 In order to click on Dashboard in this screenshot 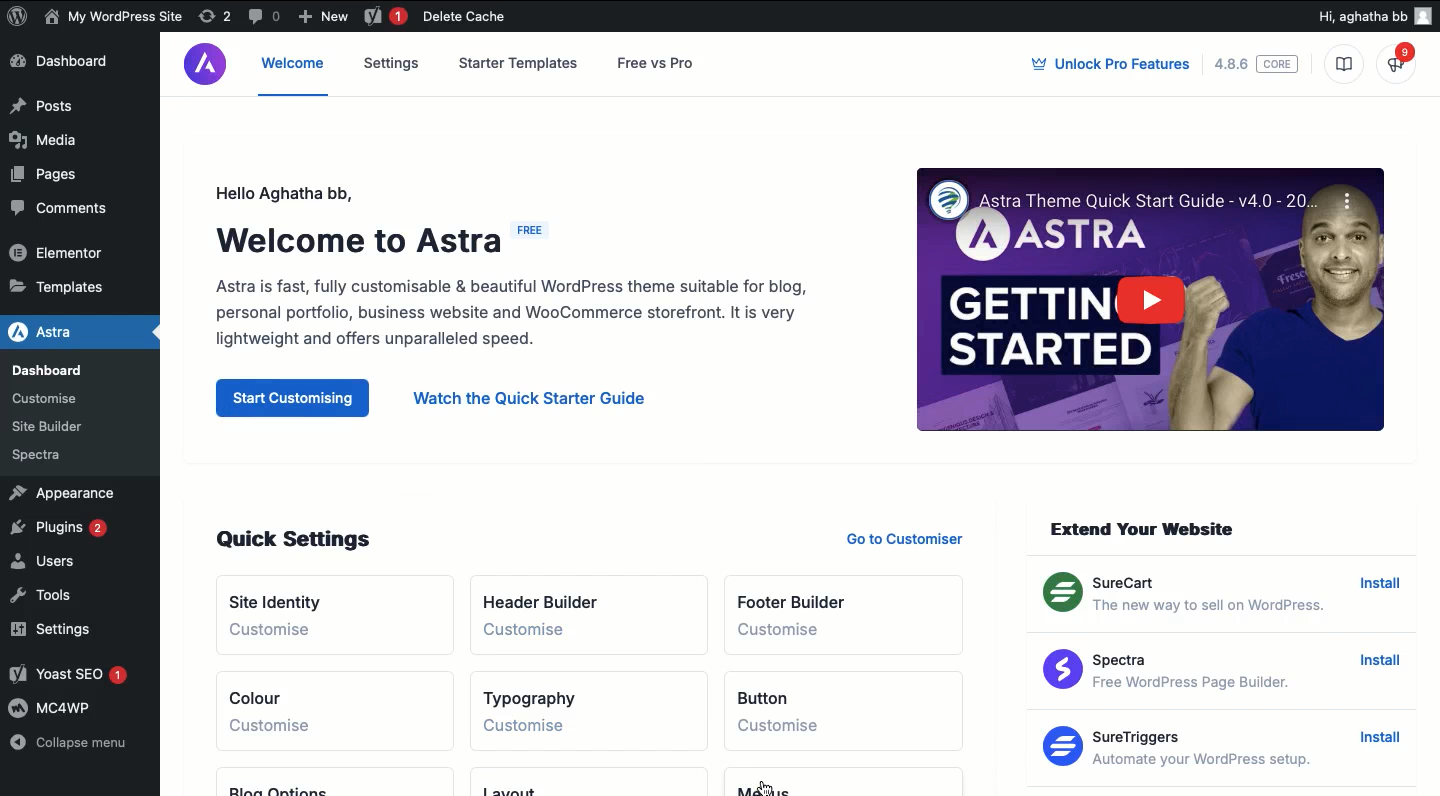, I will do `click(71, 64)`.